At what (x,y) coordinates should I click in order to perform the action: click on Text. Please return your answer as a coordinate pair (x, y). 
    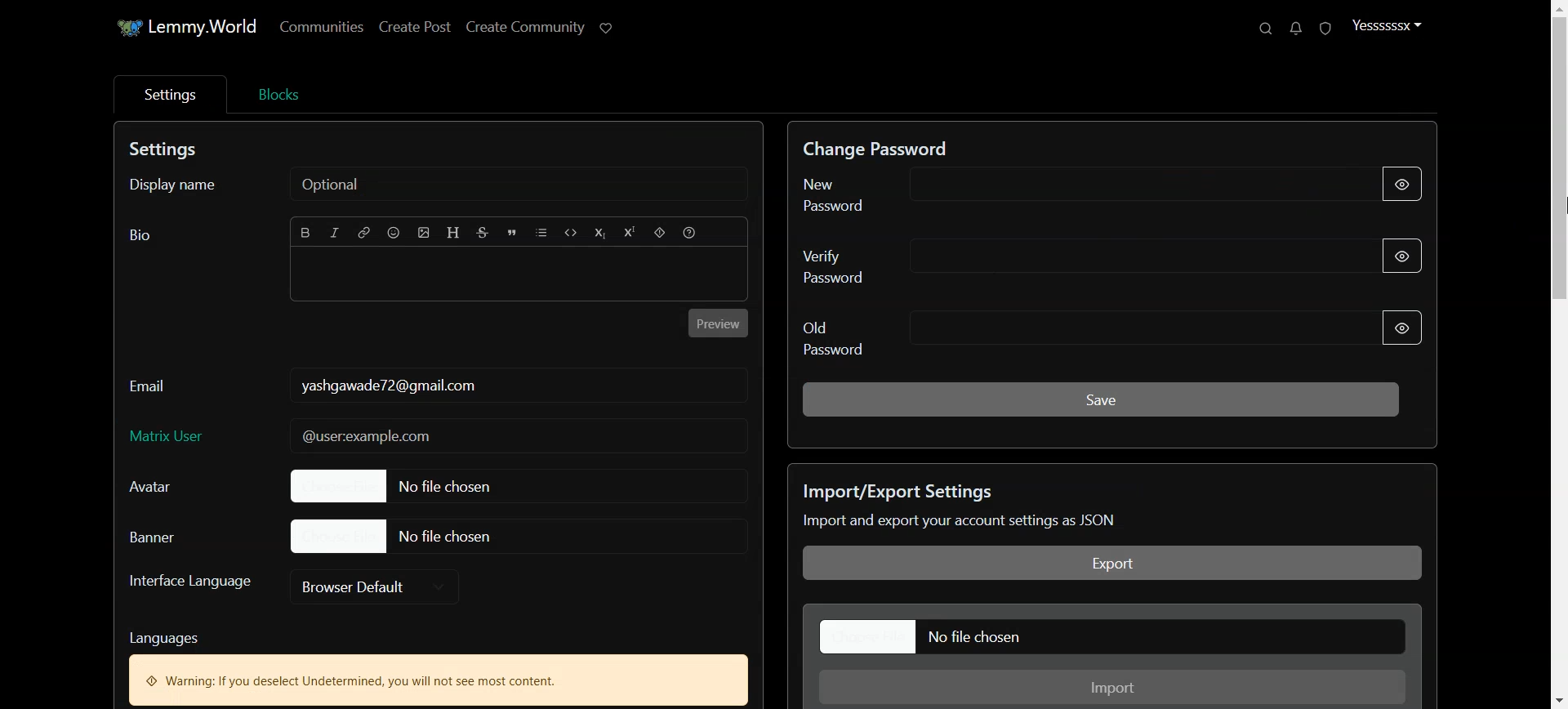
    Looking at the image, I should click on (438, 679).